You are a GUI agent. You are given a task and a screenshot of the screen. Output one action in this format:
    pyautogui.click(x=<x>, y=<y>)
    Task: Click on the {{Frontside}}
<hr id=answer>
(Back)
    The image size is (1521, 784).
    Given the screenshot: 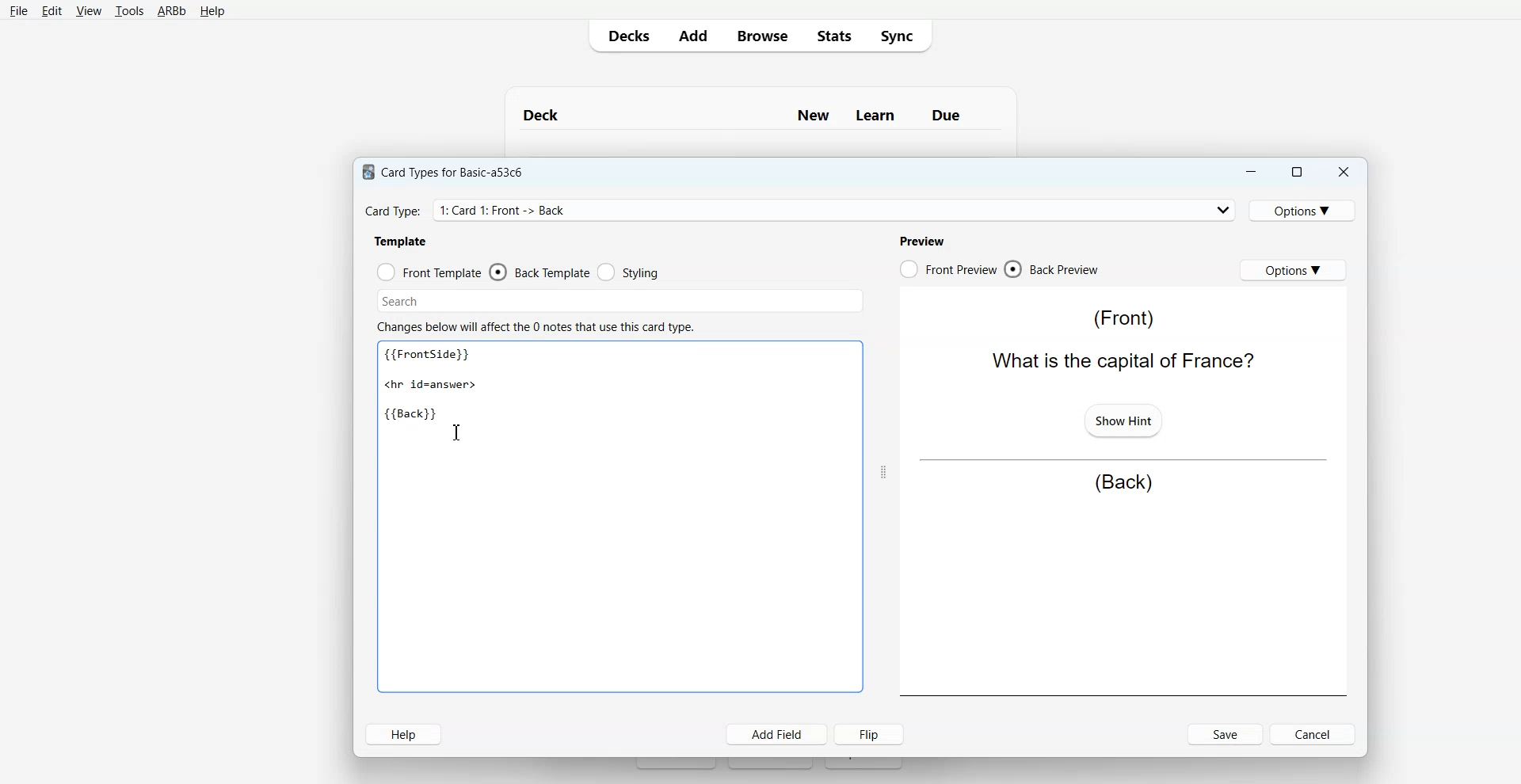 What is the action you would take?
    pyautogui.click(x=434, y=386)
    